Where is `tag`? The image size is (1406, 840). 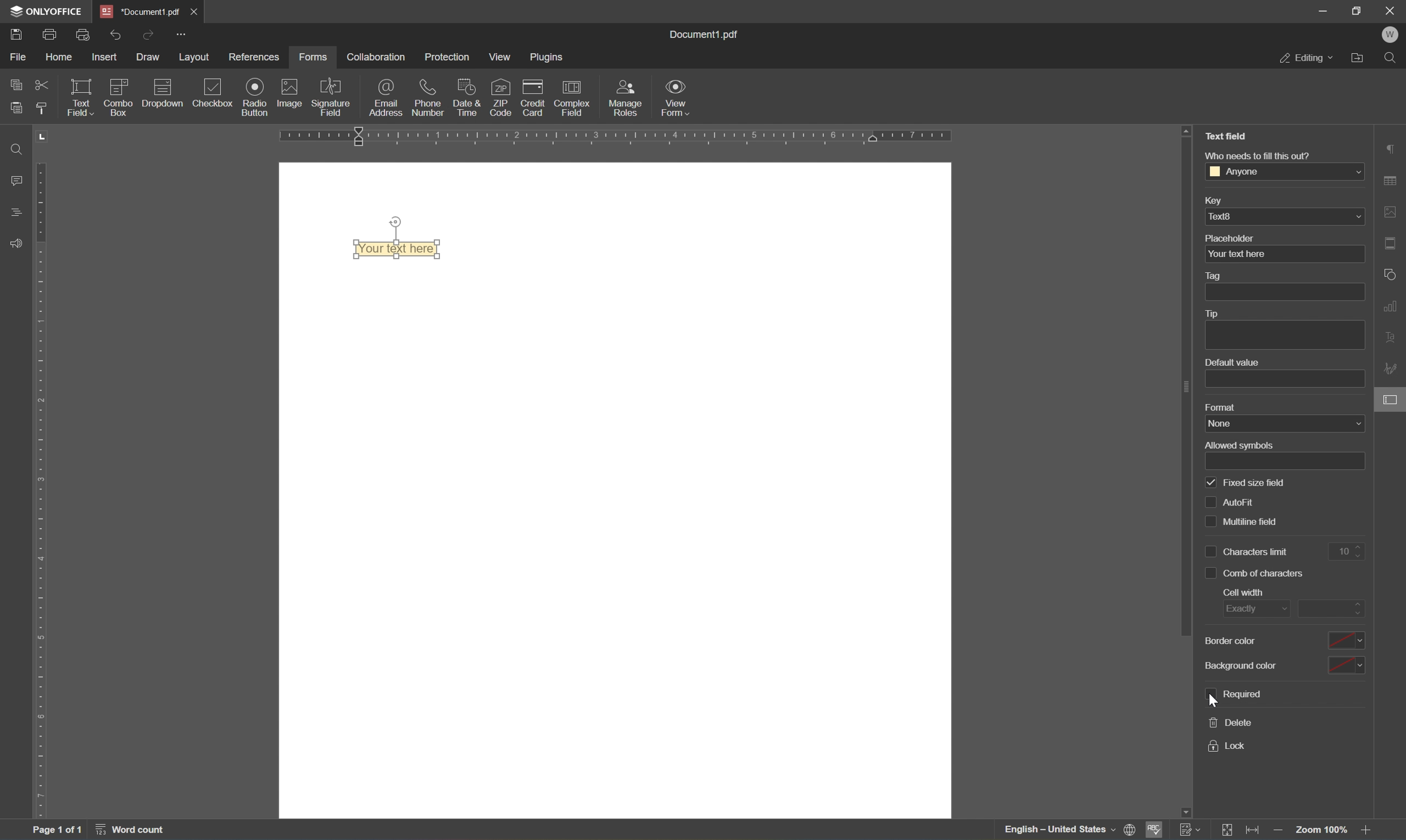 tag is located at coordinates (1219, 275).